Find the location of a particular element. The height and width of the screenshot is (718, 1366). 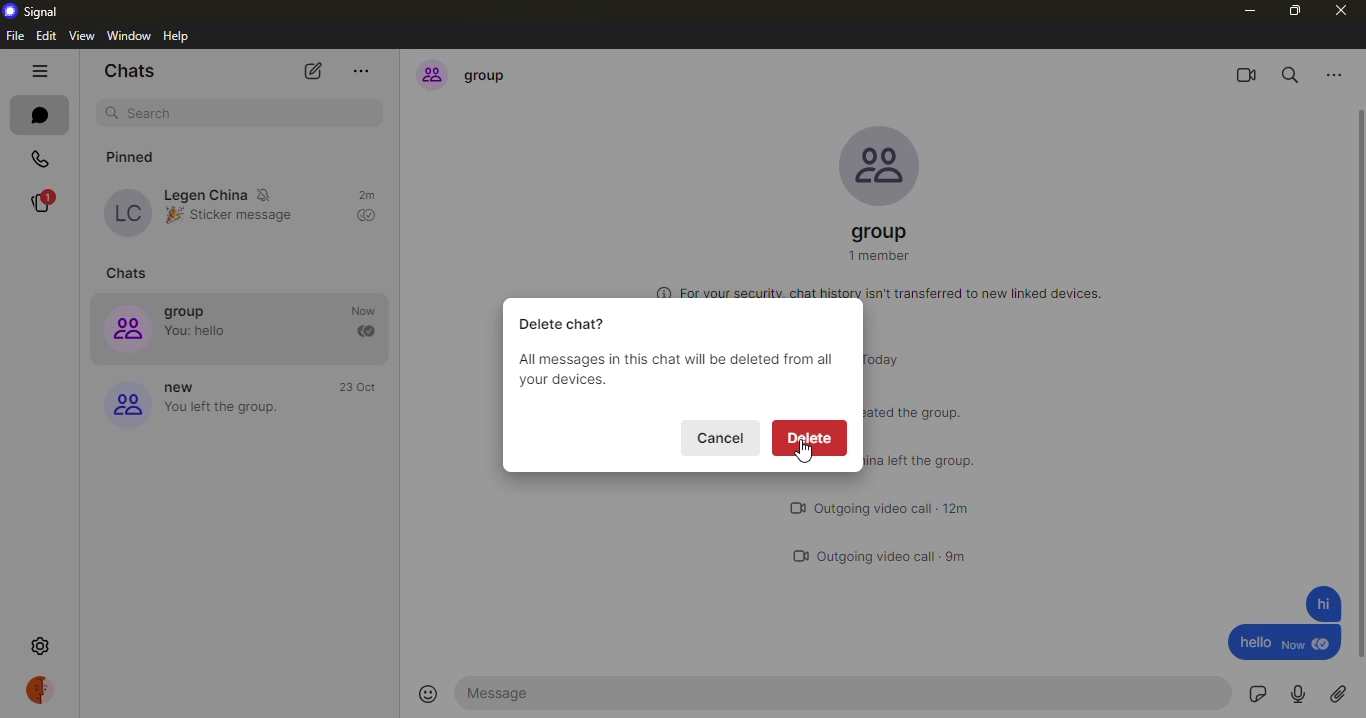

emoji is located at coordinates (430, 694).